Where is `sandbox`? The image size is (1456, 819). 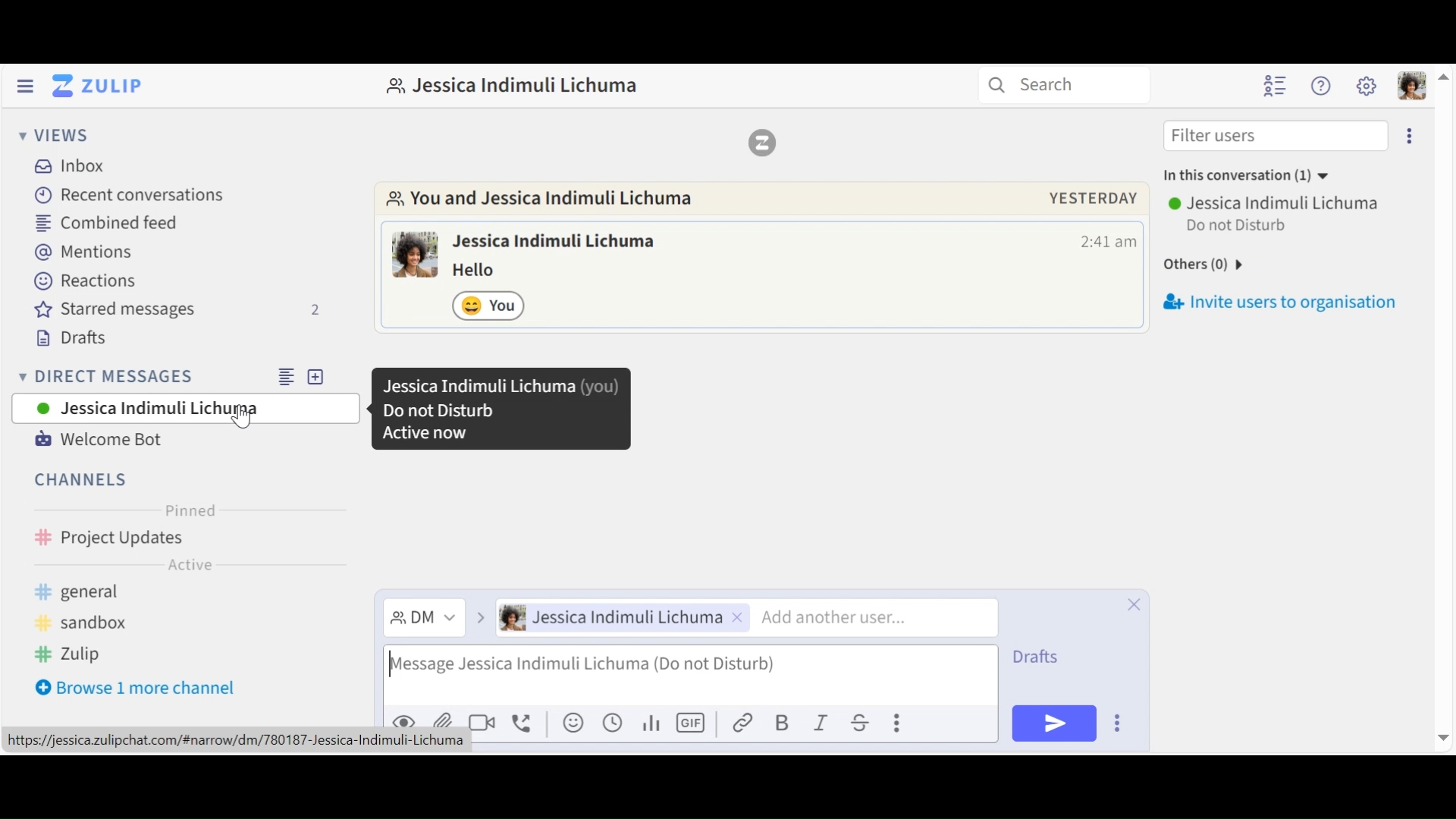 sandbox is located at coordinates (99, 623).